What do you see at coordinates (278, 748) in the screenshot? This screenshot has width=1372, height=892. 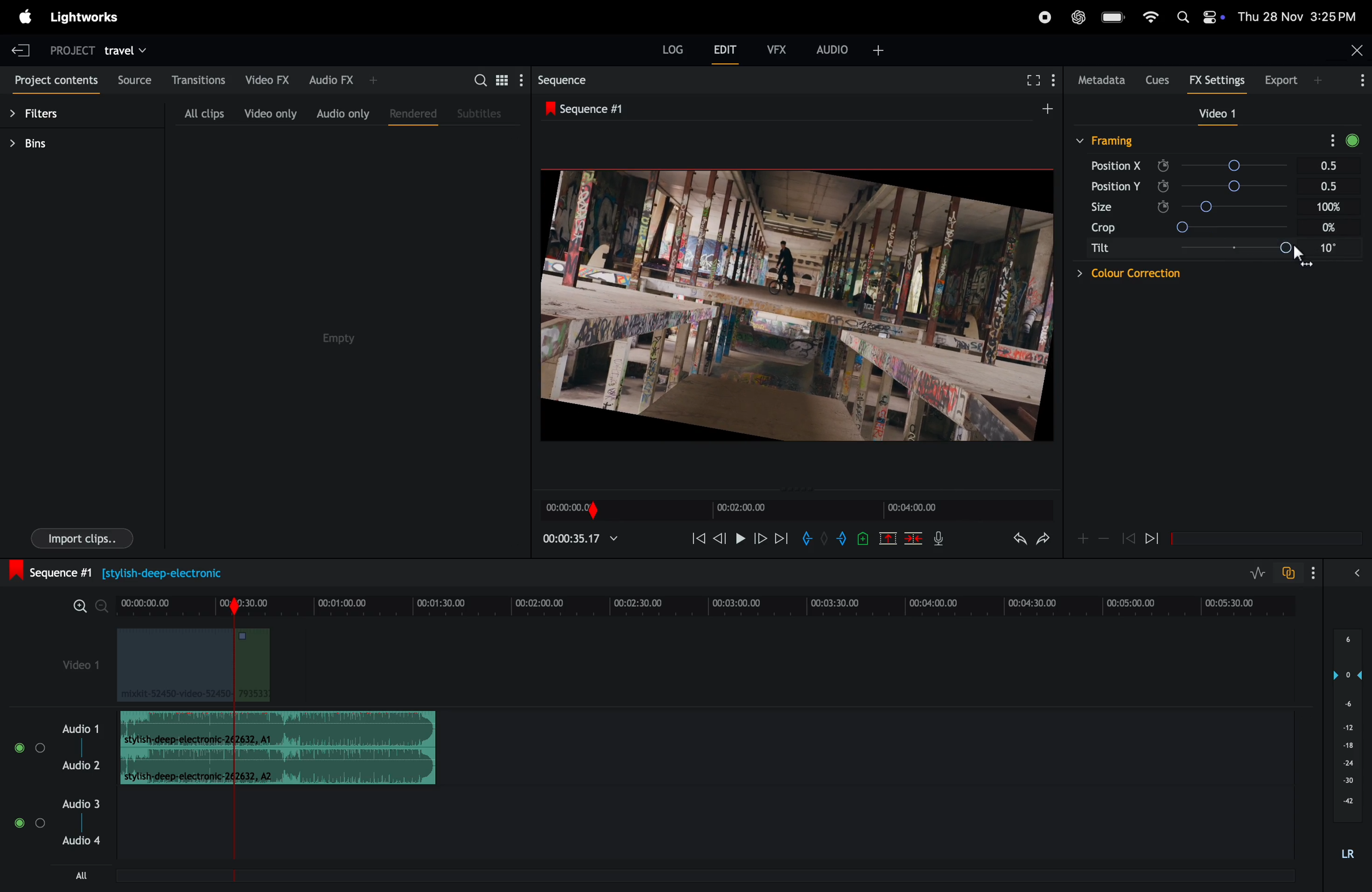 I see `audio clips` at bounding box center [278, 748].